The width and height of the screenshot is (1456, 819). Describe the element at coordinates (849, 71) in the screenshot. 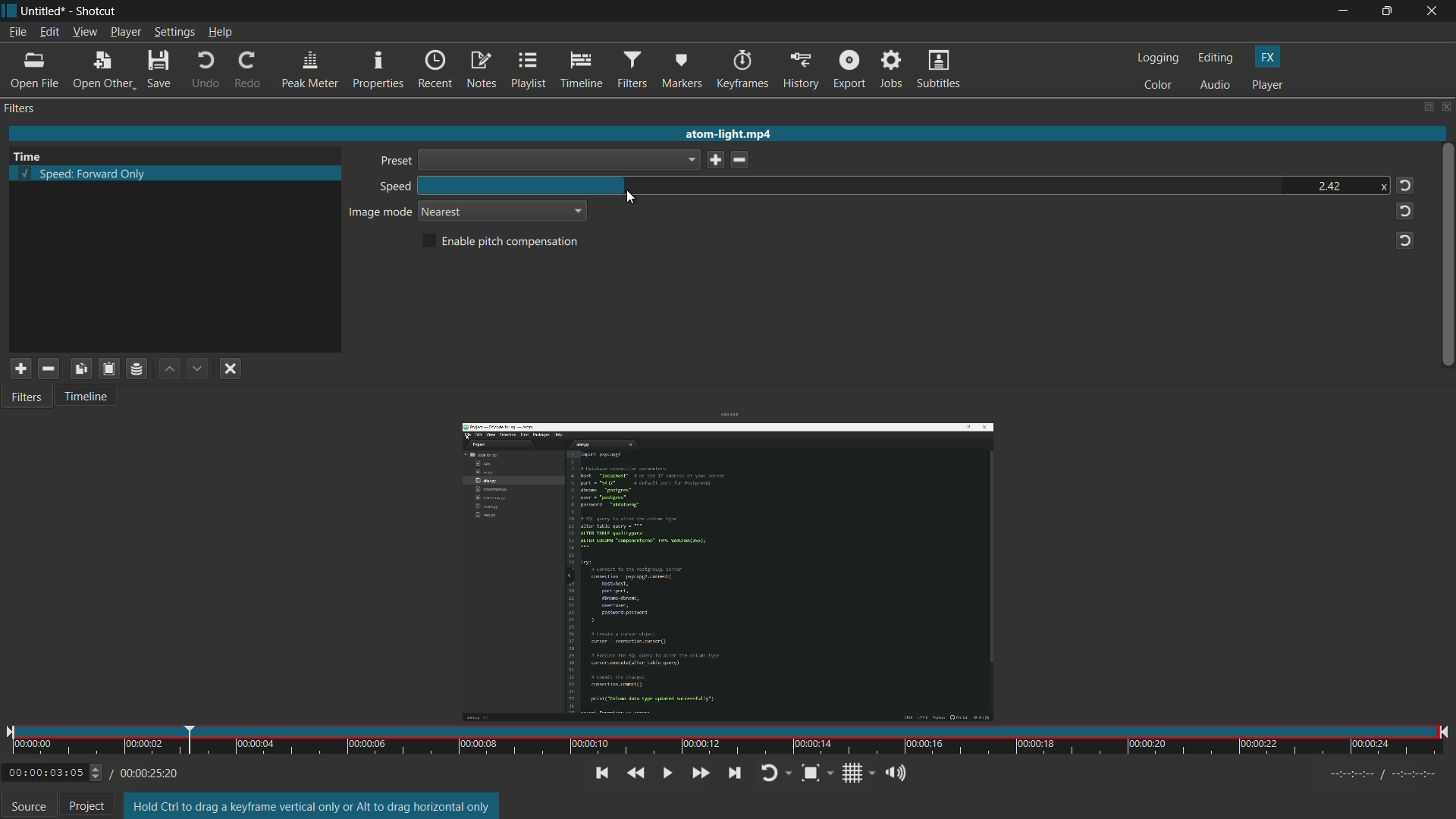

I see `export` at that location.